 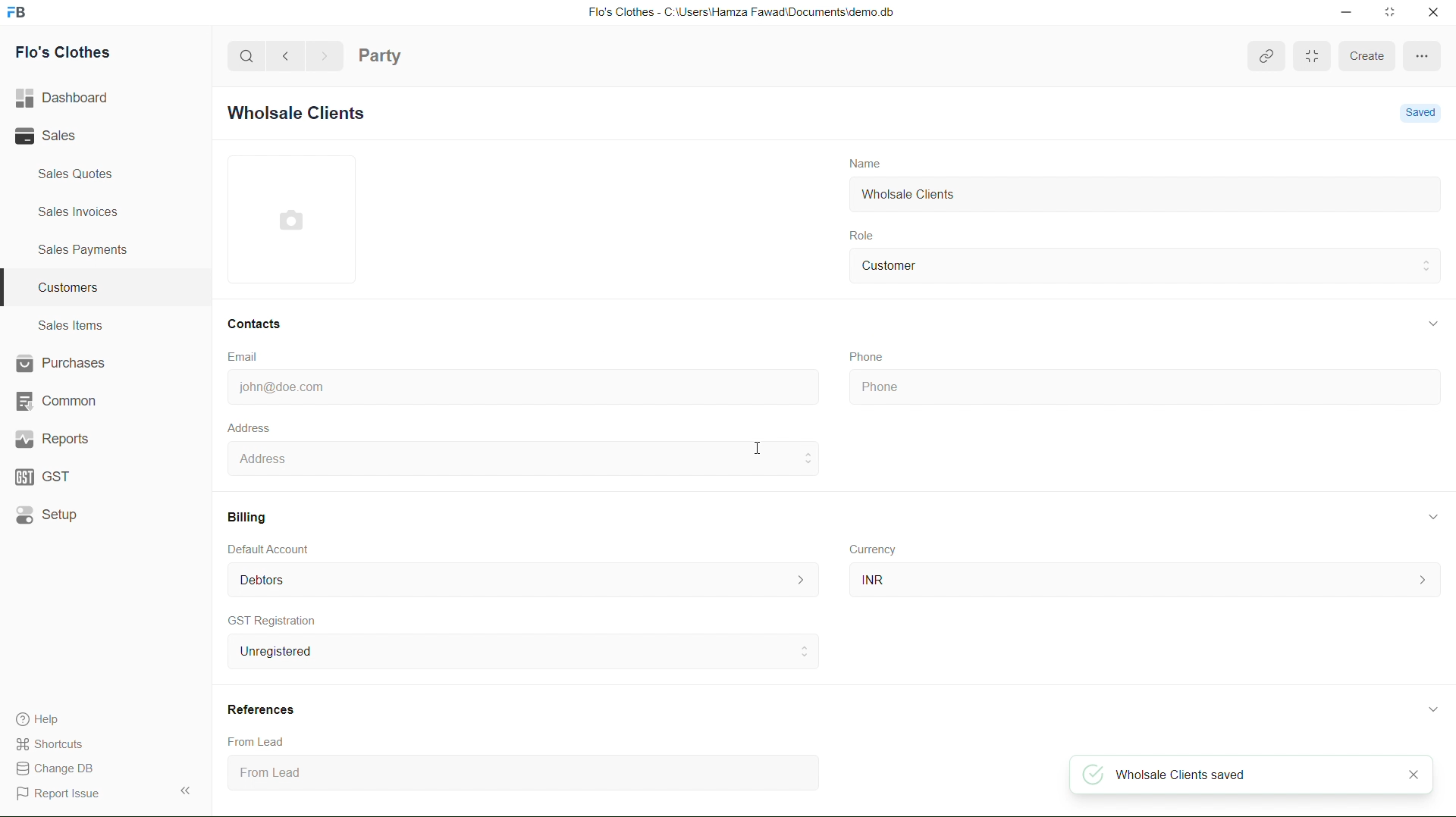 What do you see at coordinates (62, 363) in the screenshot?
I see `Purchases` at bounding box center [62, 363].